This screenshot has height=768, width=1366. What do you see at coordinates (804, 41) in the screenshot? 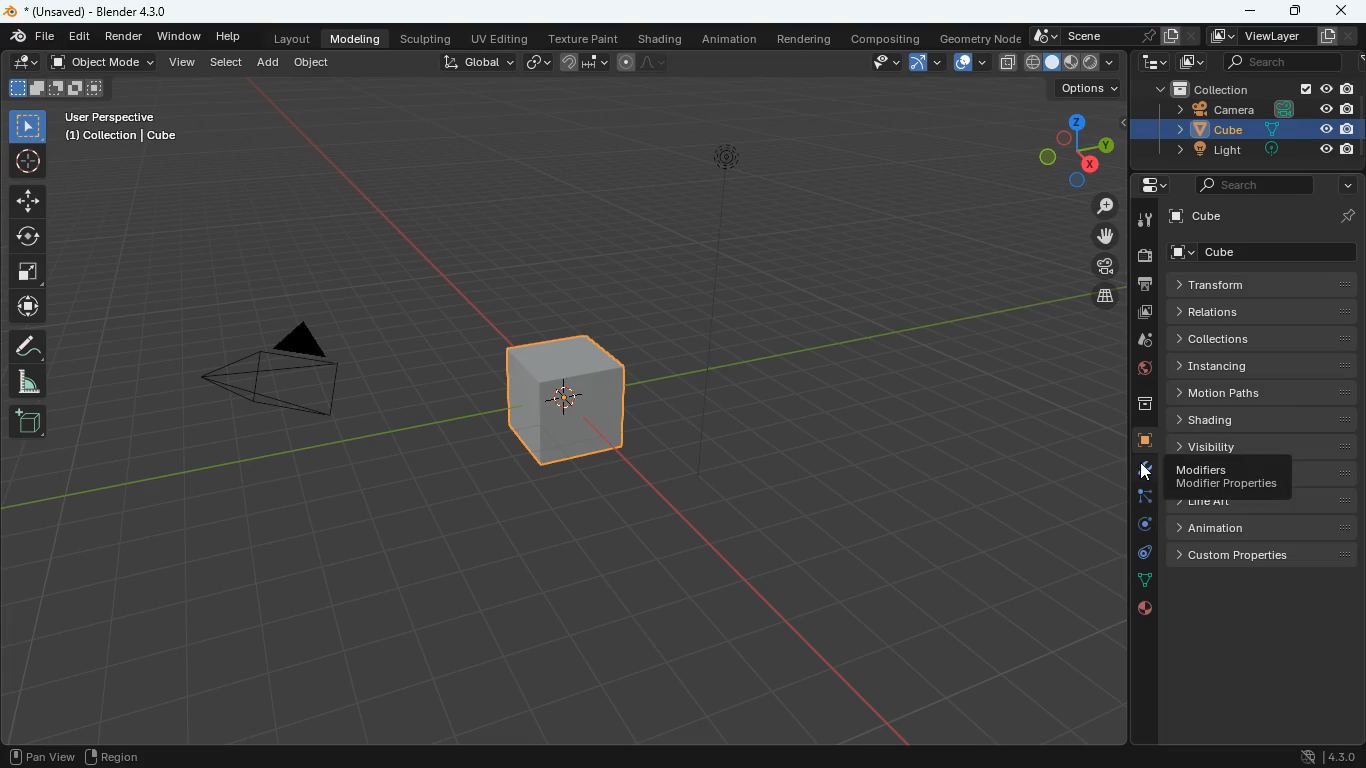
I see `rendering` at bounding box center [804, 41].